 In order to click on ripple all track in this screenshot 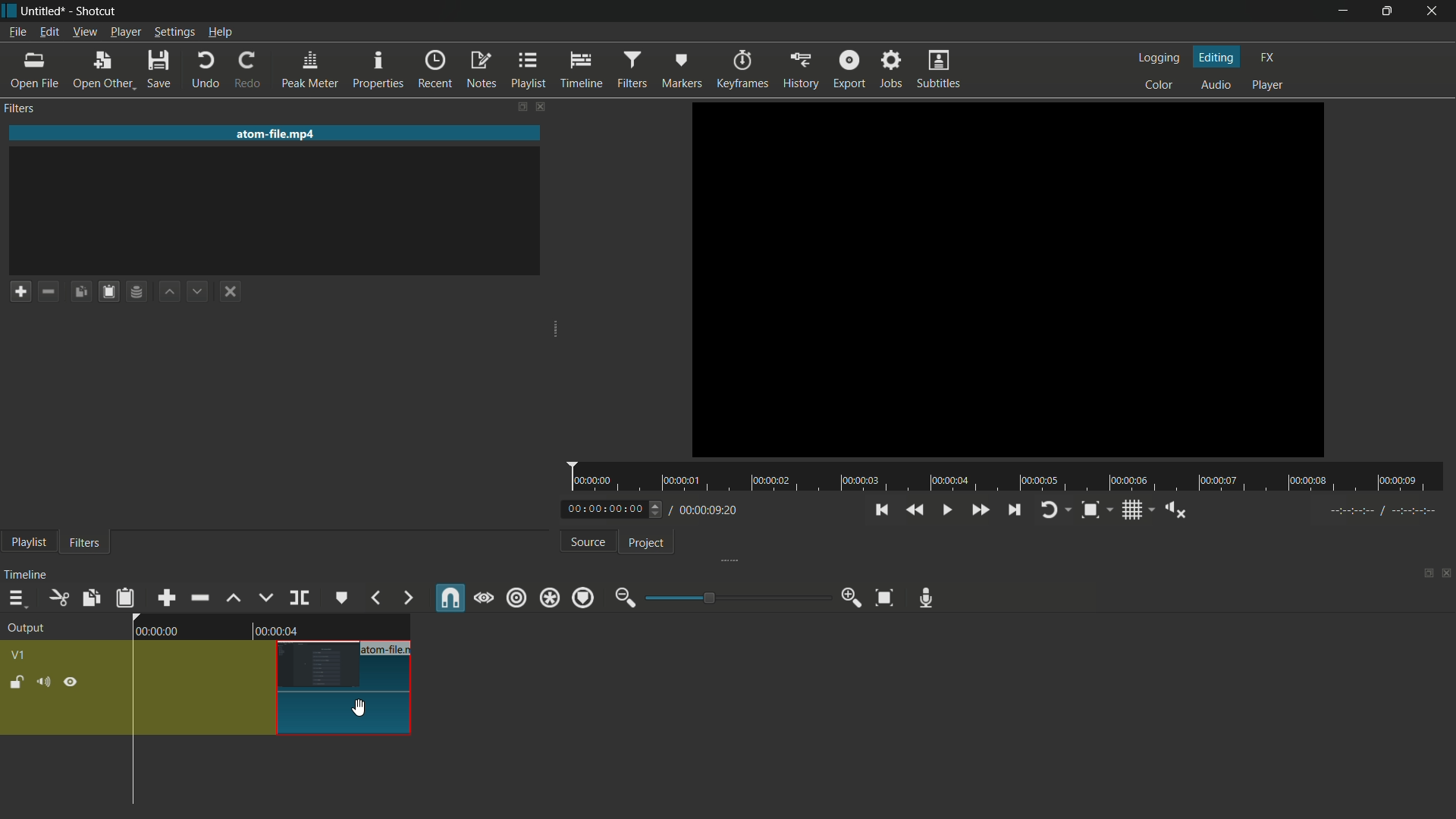, I will do `click(551, 597)`.